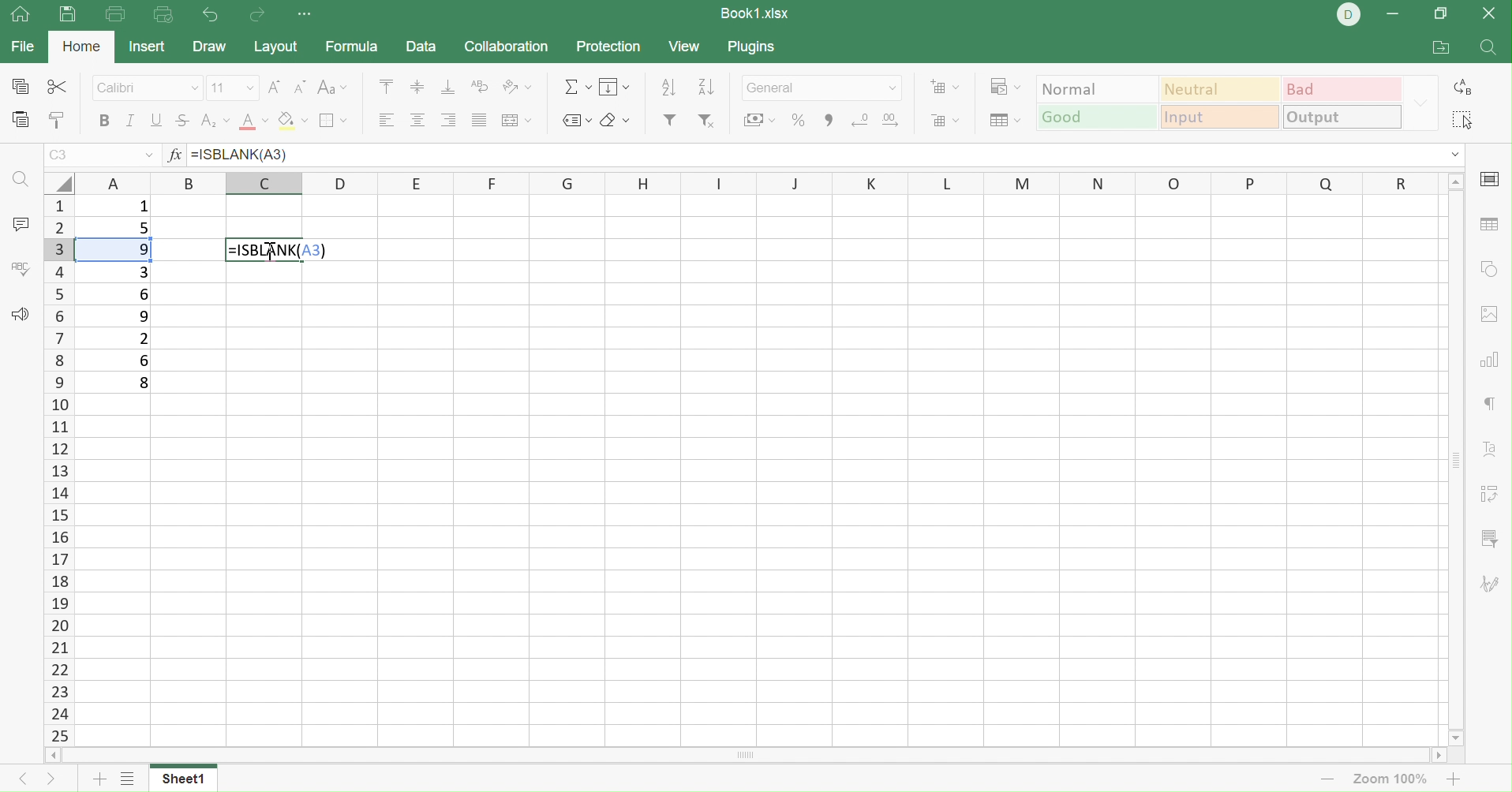 The width and height of the screenshot is (1512, 792). What do you see at coordinates (1223, 88) in the screenshot?
I see `Neutral` at bounding box center [1223, 88].